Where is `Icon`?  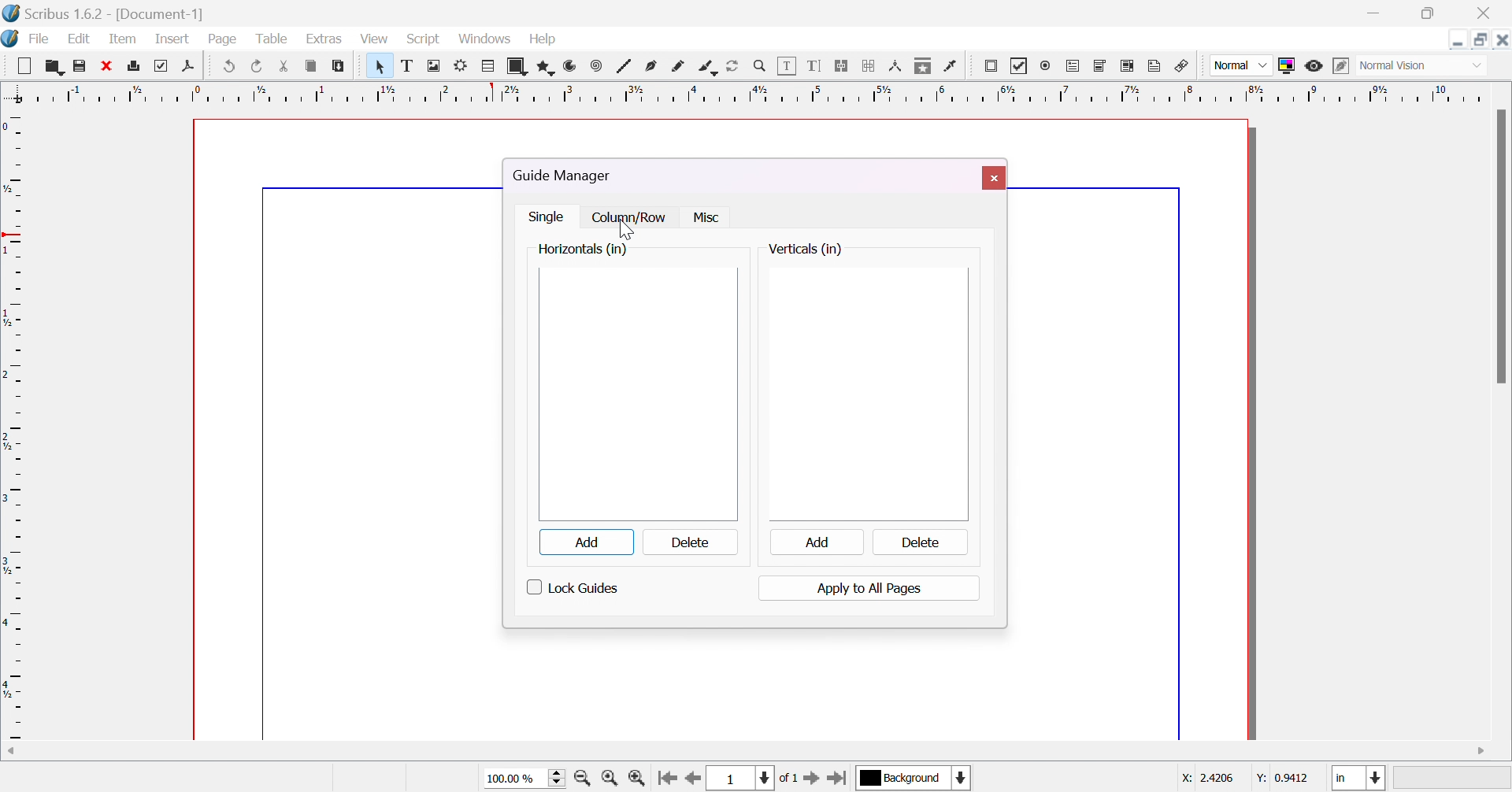
Icon is located at coordinates (11, 39).